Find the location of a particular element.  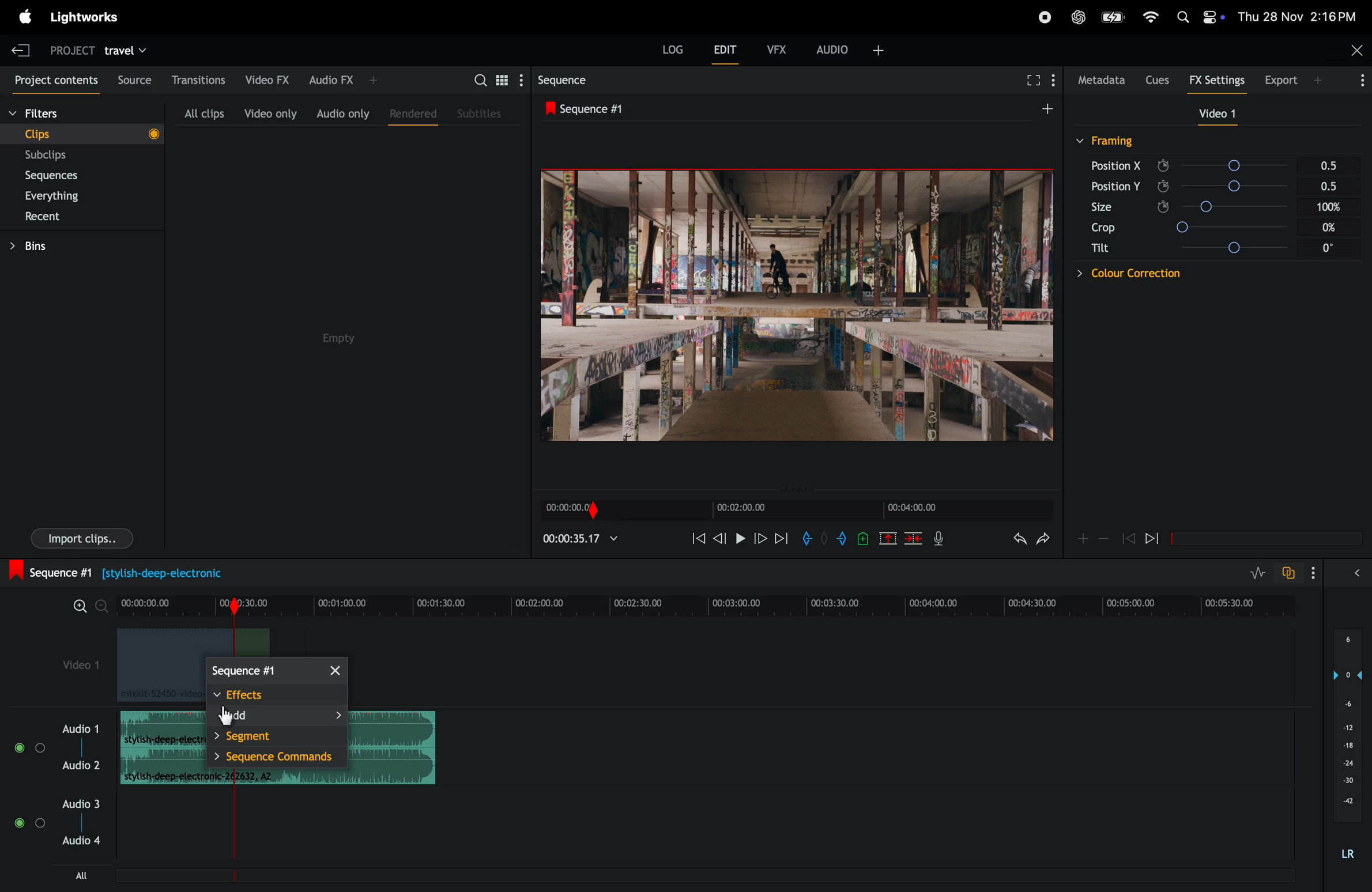

tilt is located at coordinates (1101, 251).